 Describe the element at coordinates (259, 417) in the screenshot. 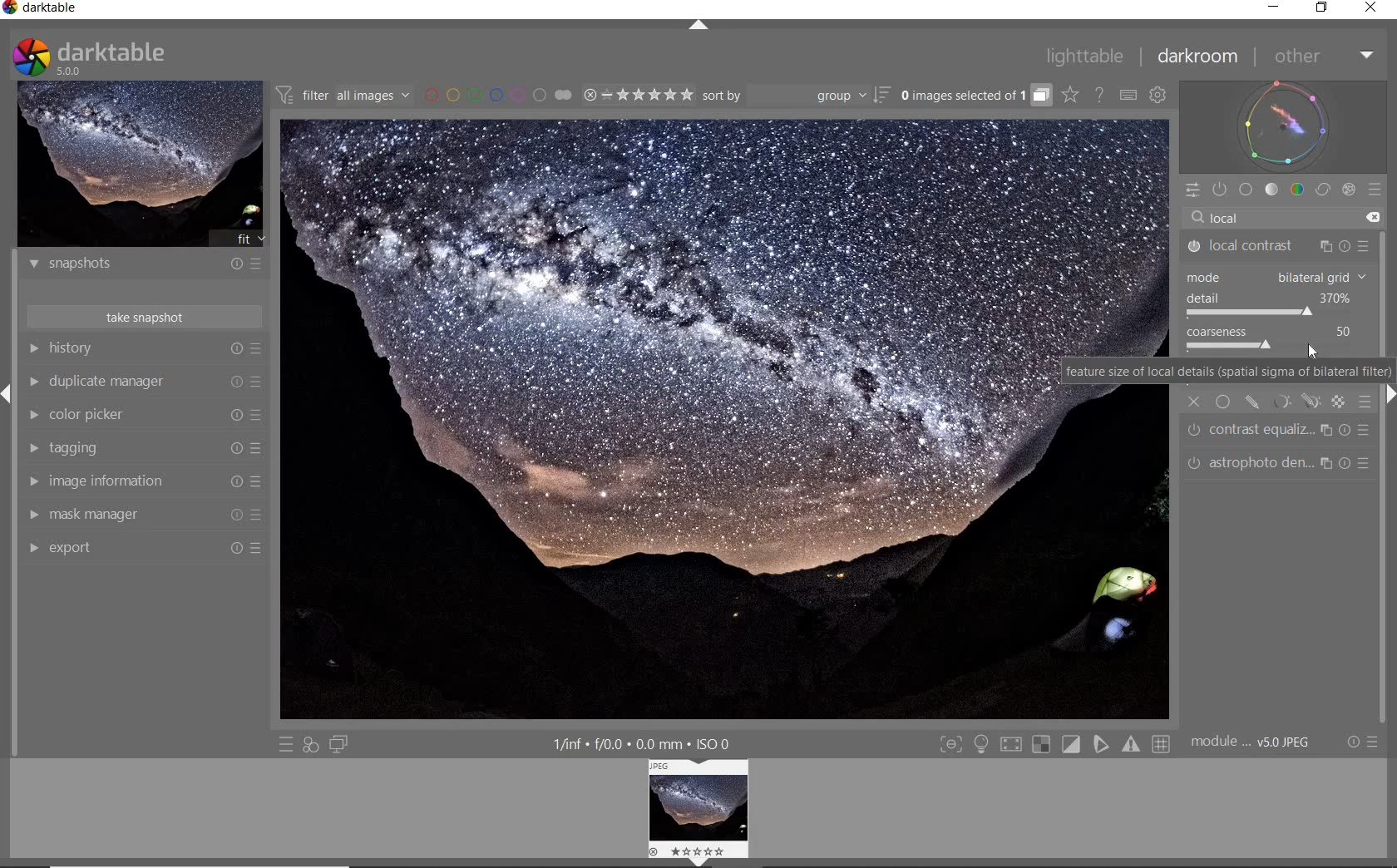

I see `Presets and preferences` at that location.